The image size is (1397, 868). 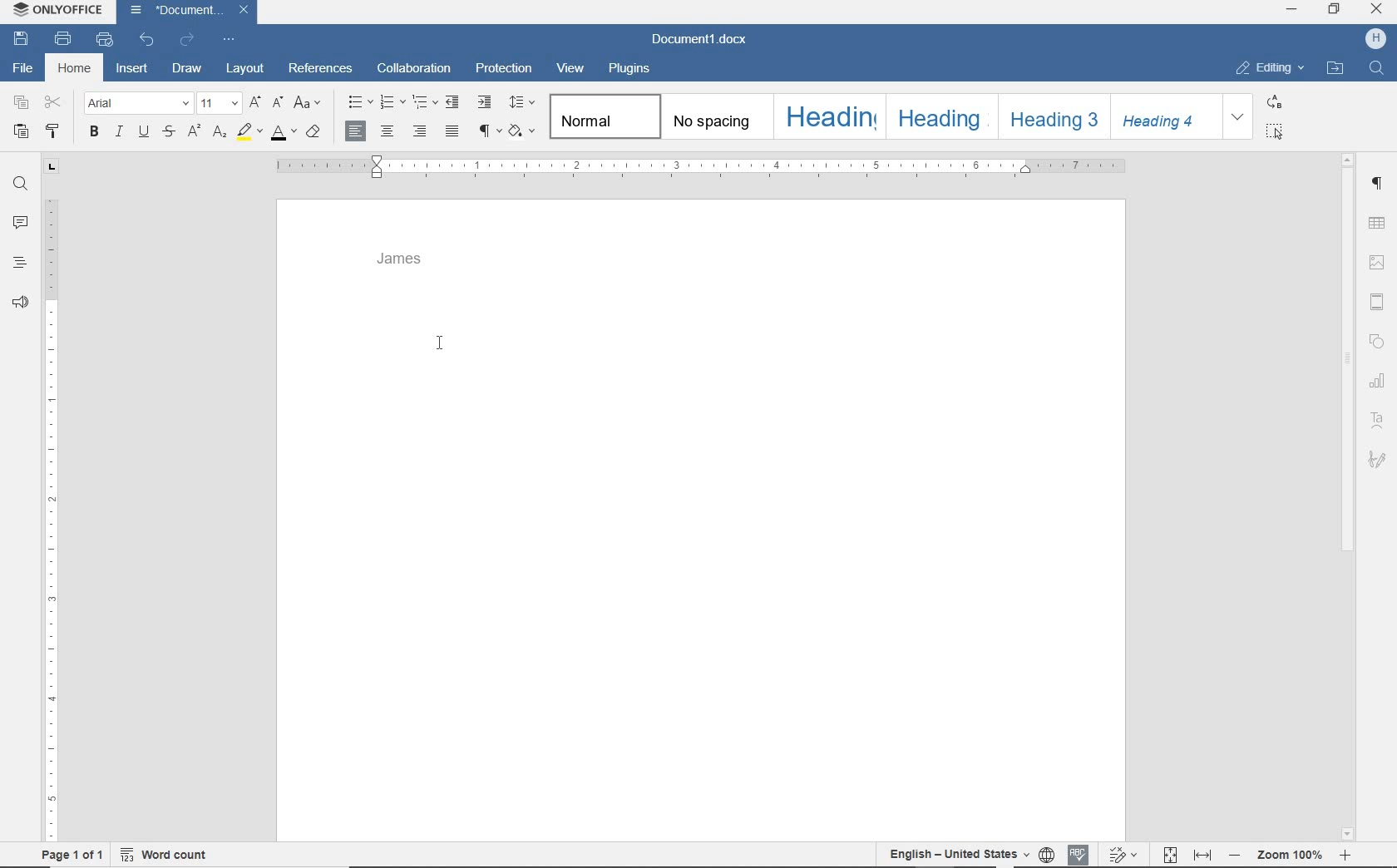 I want to click on ruler, so click(x=49, y=501).